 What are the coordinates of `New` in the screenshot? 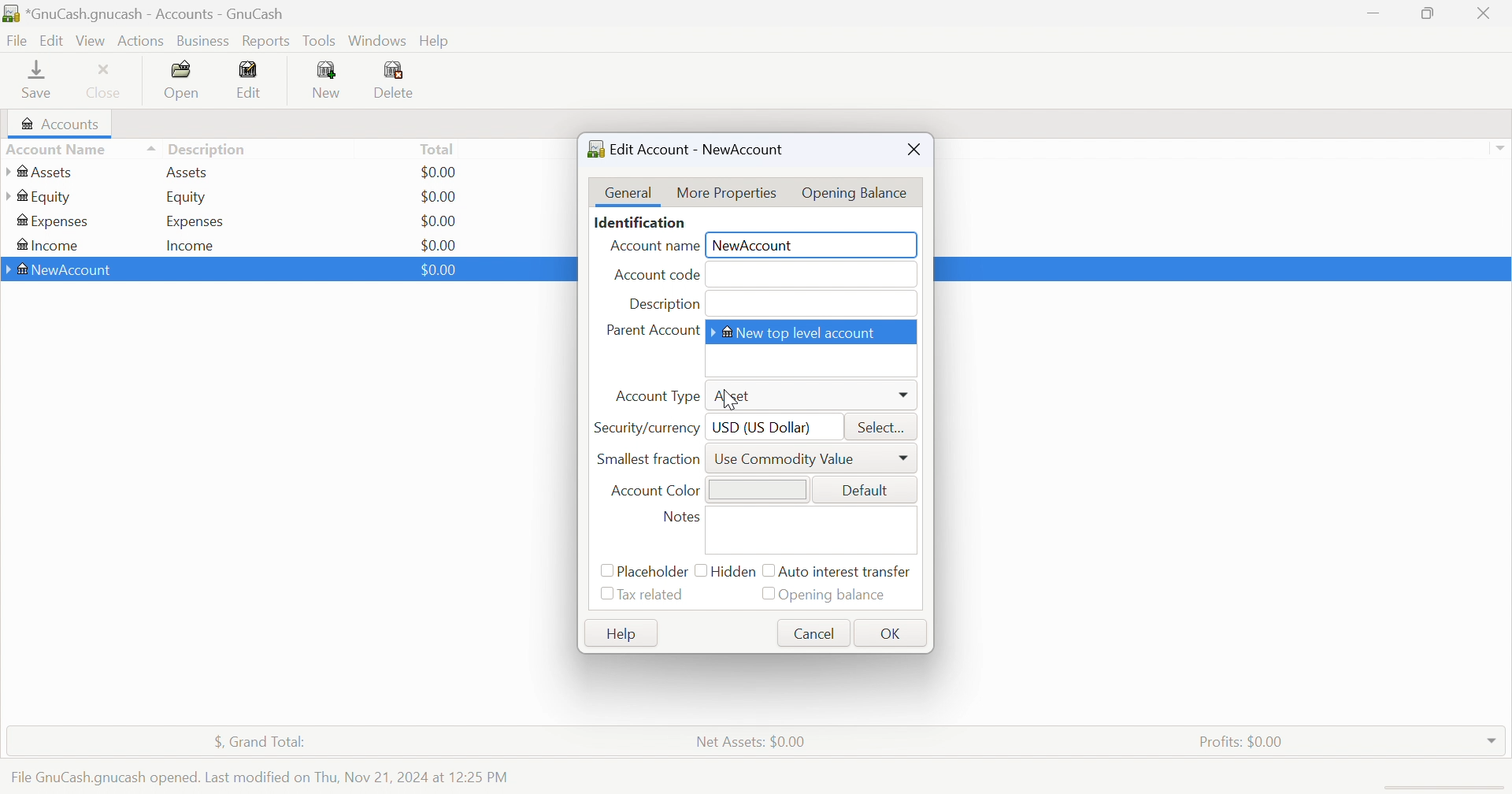 It's located at (325, 79).